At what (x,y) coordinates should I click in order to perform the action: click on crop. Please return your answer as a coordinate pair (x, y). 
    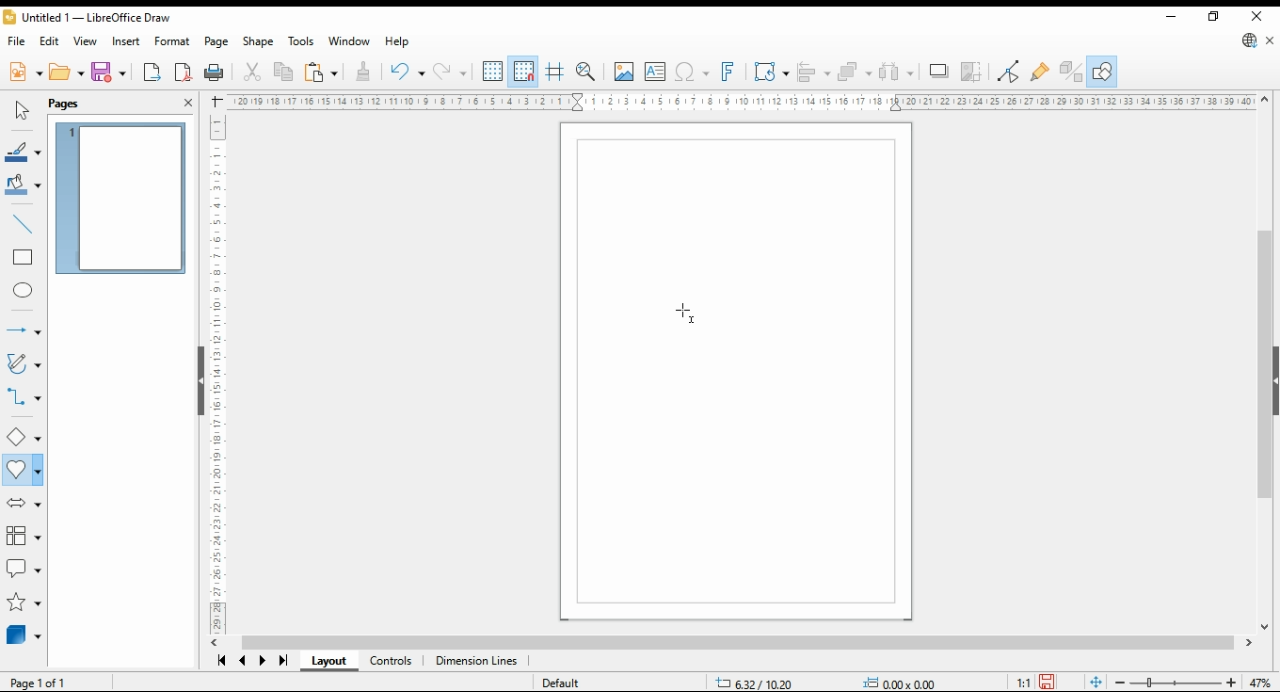
    Looking at the image, I should click on (975, 72).